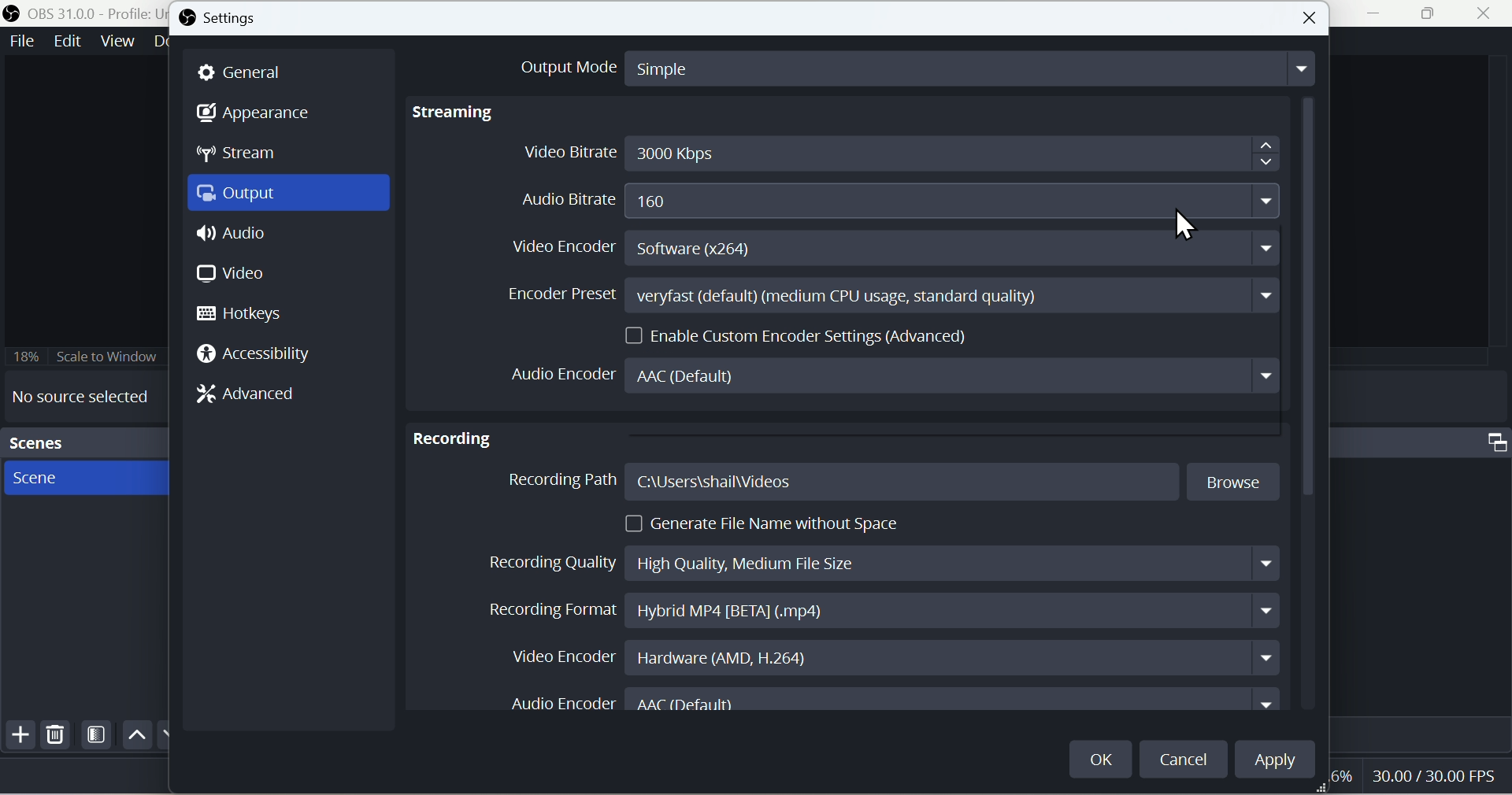 The height and width of the screenshot is (795, 1512). I want to click on Settings, so click(229, 20).